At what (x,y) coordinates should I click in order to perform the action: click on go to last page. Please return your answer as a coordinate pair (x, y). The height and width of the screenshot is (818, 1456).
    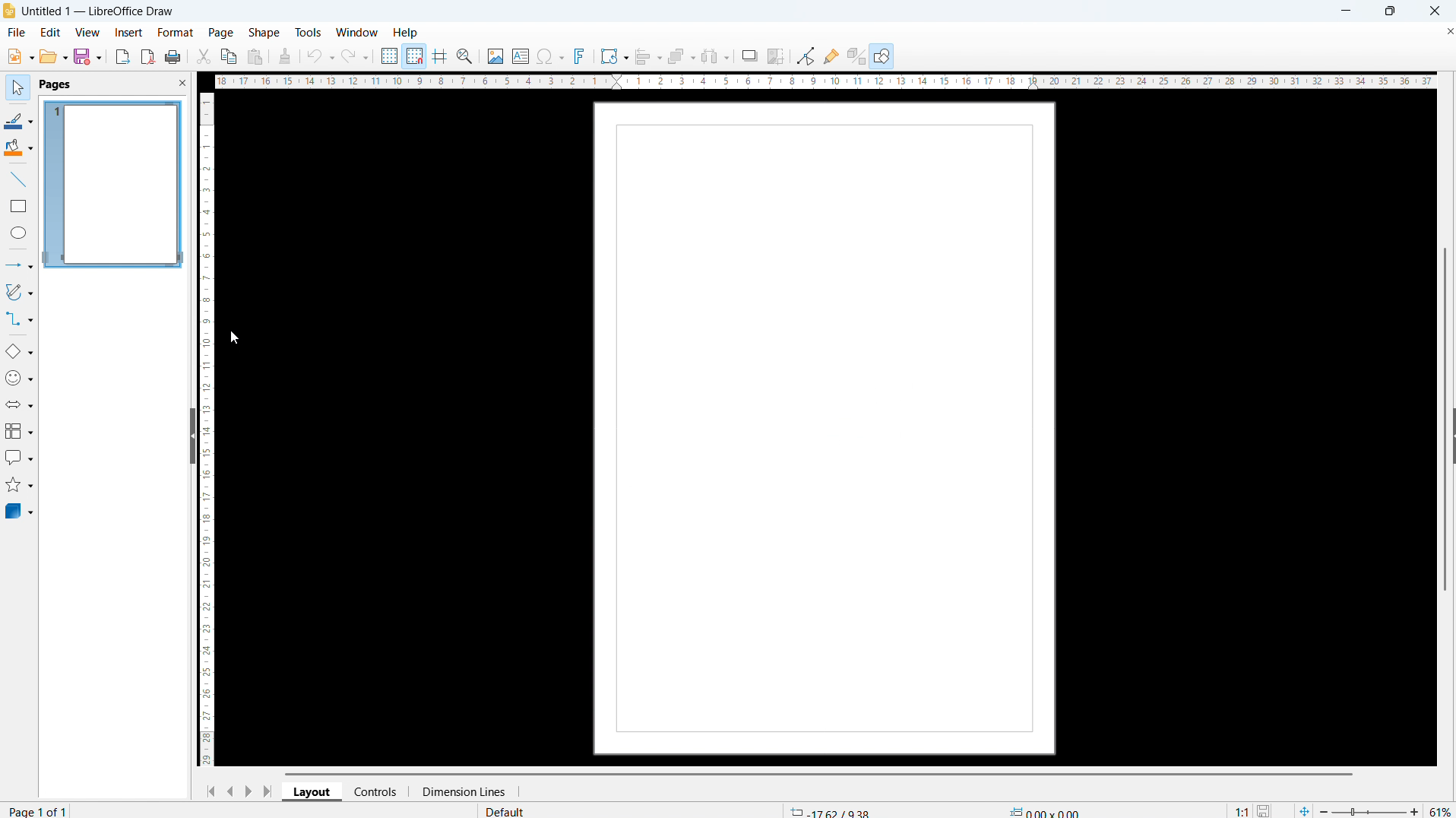
    Looking at the image, I should click on (267, 791).